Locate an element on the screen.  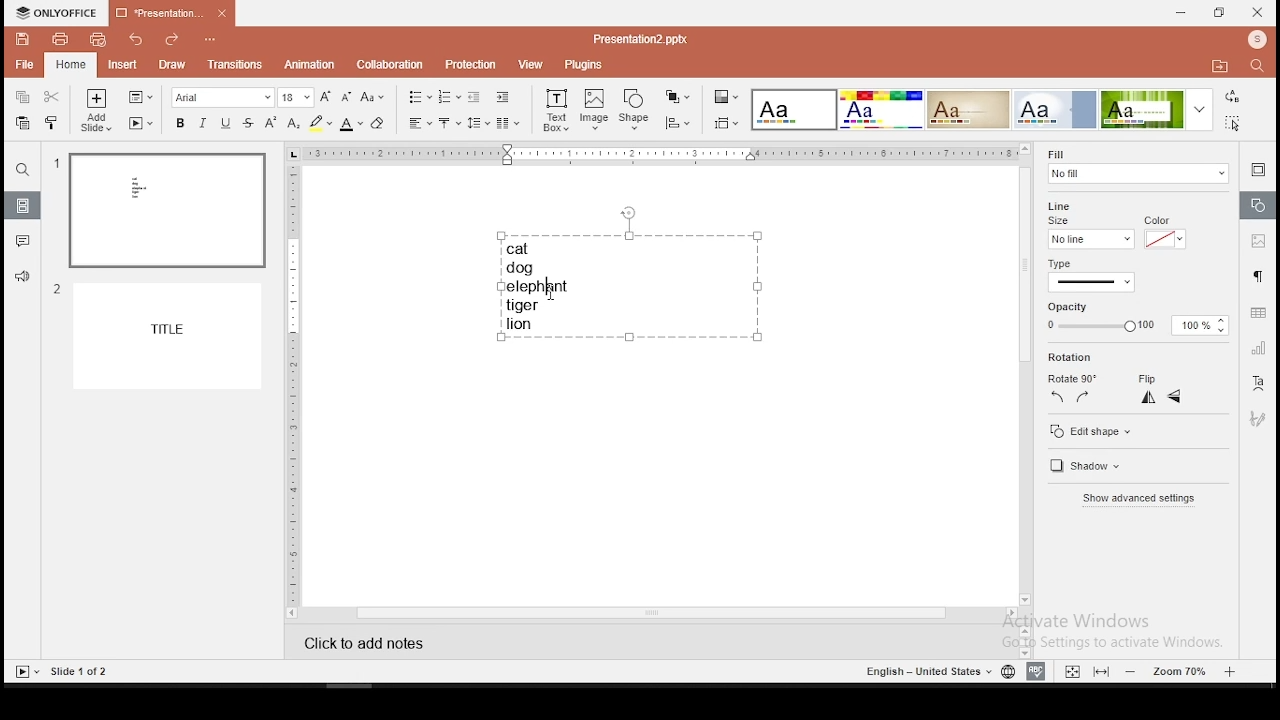
collaboration is located at coordinates (389, 63).